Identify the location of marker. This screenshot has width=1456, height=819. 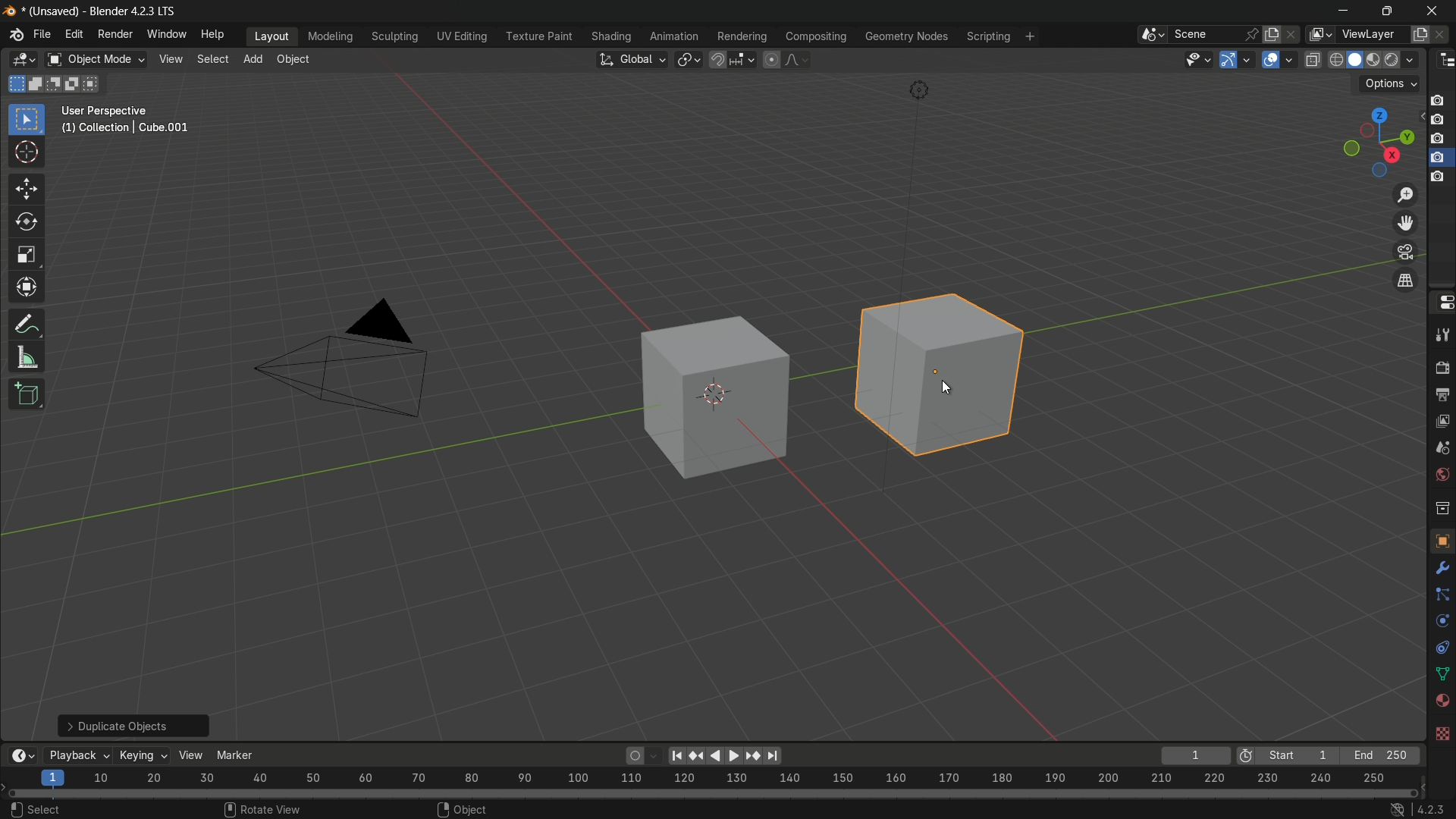
(243, 754).